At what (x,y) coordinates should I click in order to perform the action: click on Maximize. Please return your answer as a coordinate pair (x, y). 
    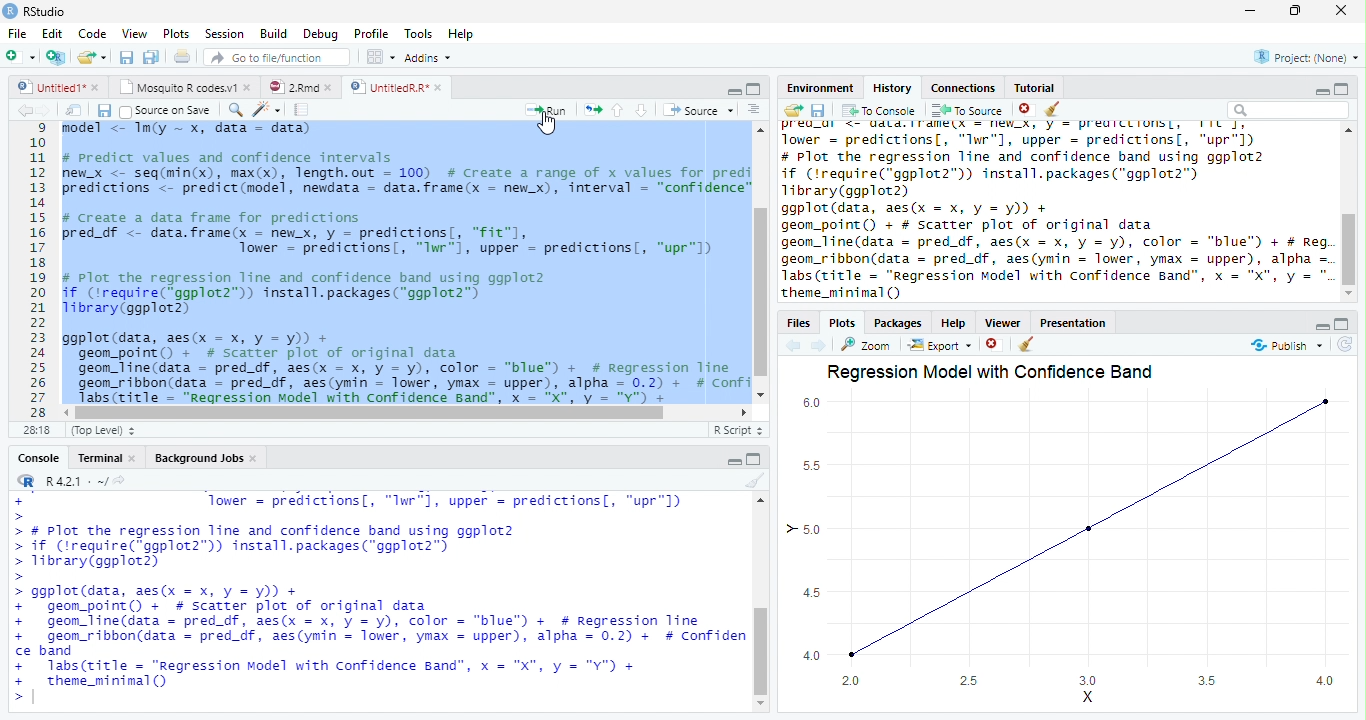
    Looking at the image, I should click on (755, 459).